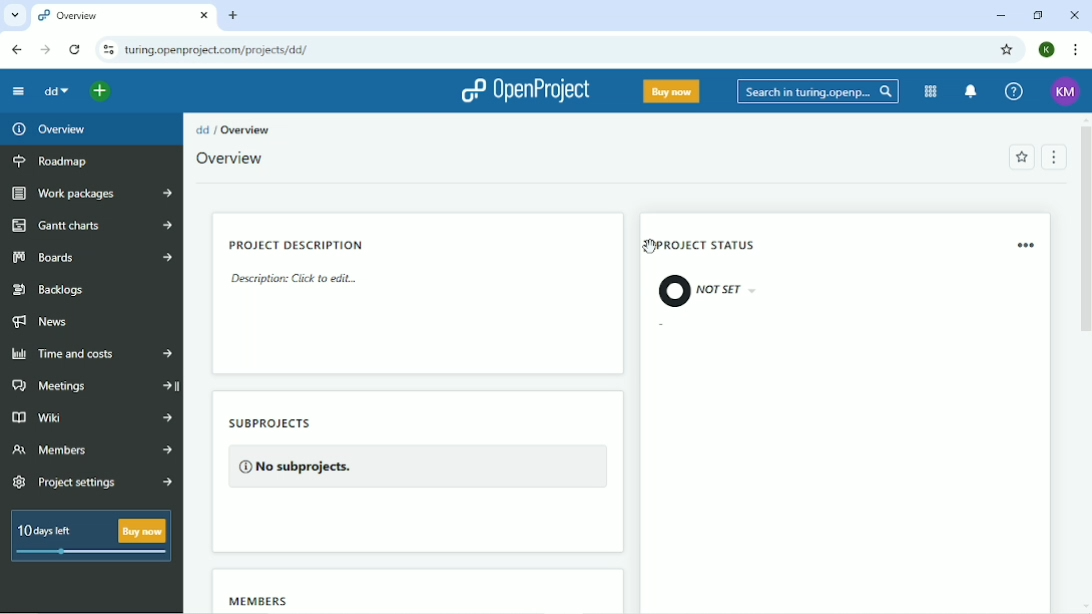 This screenshot has height=614, width=1092. What do you see at coordinates (76, 50) in the screenshot?
I see `Reload this page` at bounding box center [76, 50].